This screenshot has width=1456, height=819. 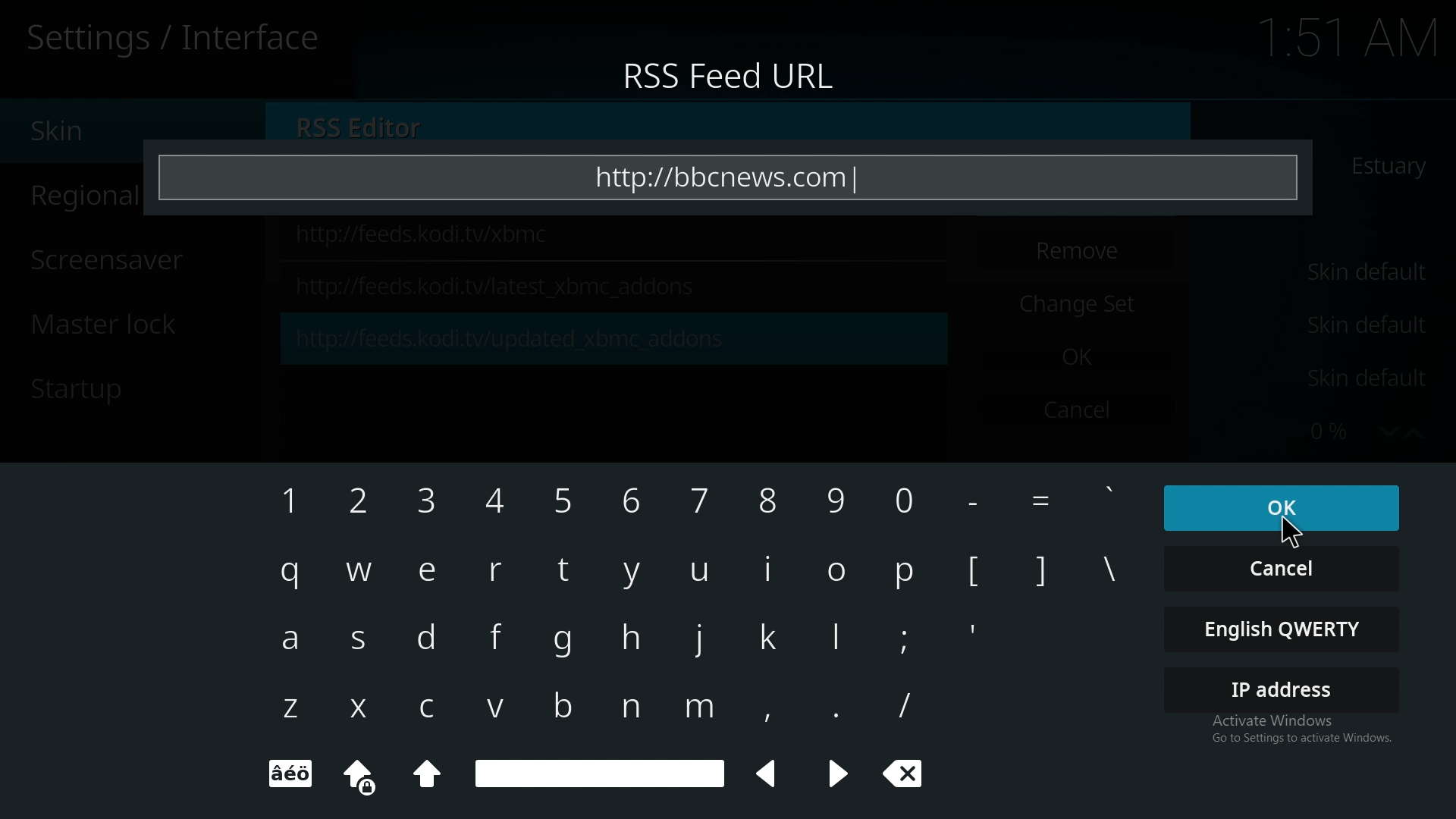 I want to click on keyboard Input, so click(x=770, y=711).